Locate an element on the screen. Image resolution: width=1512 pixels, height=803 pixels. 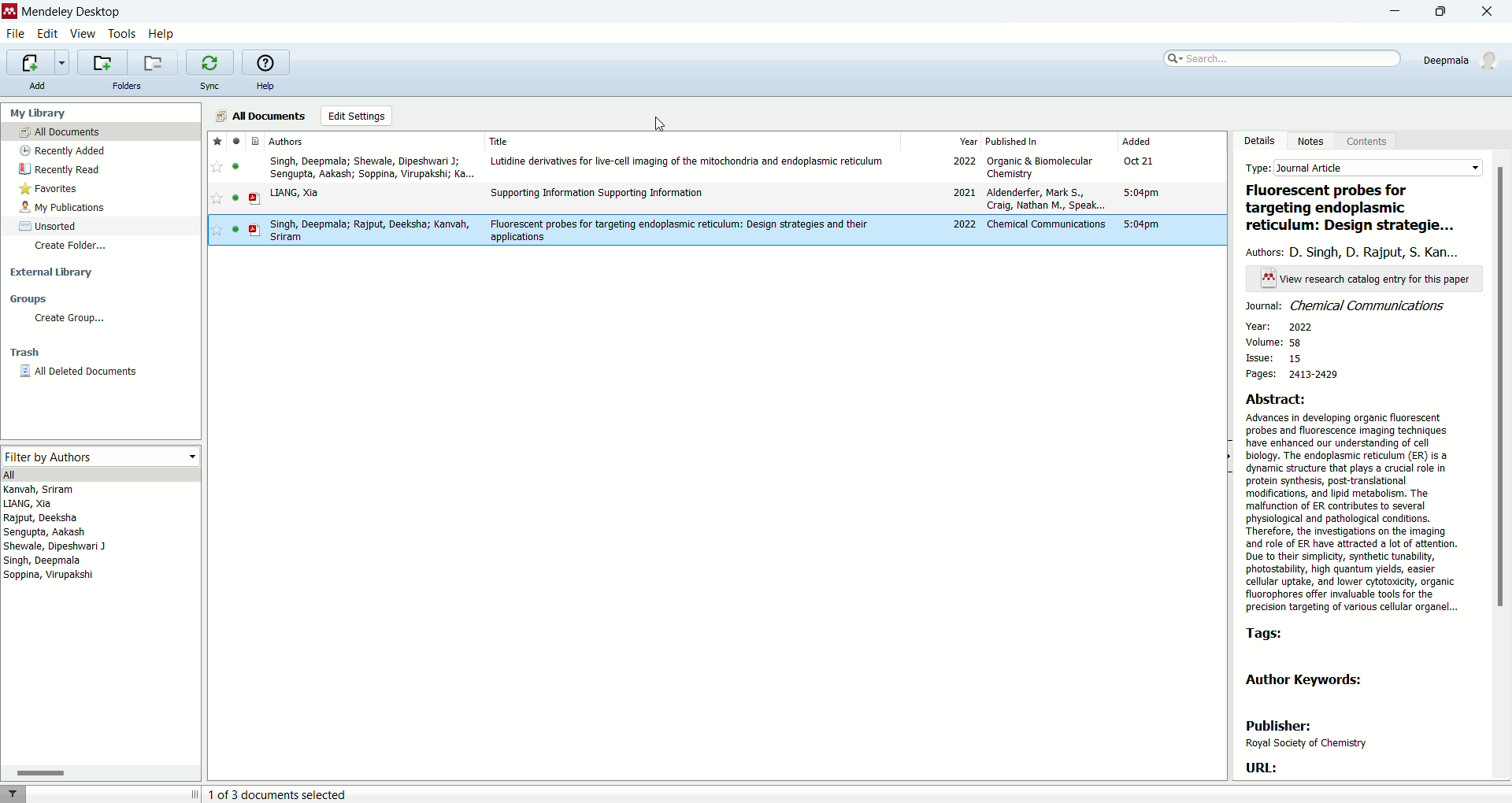
synchronize the library with mendeley web is located at coordinates (210, 62).